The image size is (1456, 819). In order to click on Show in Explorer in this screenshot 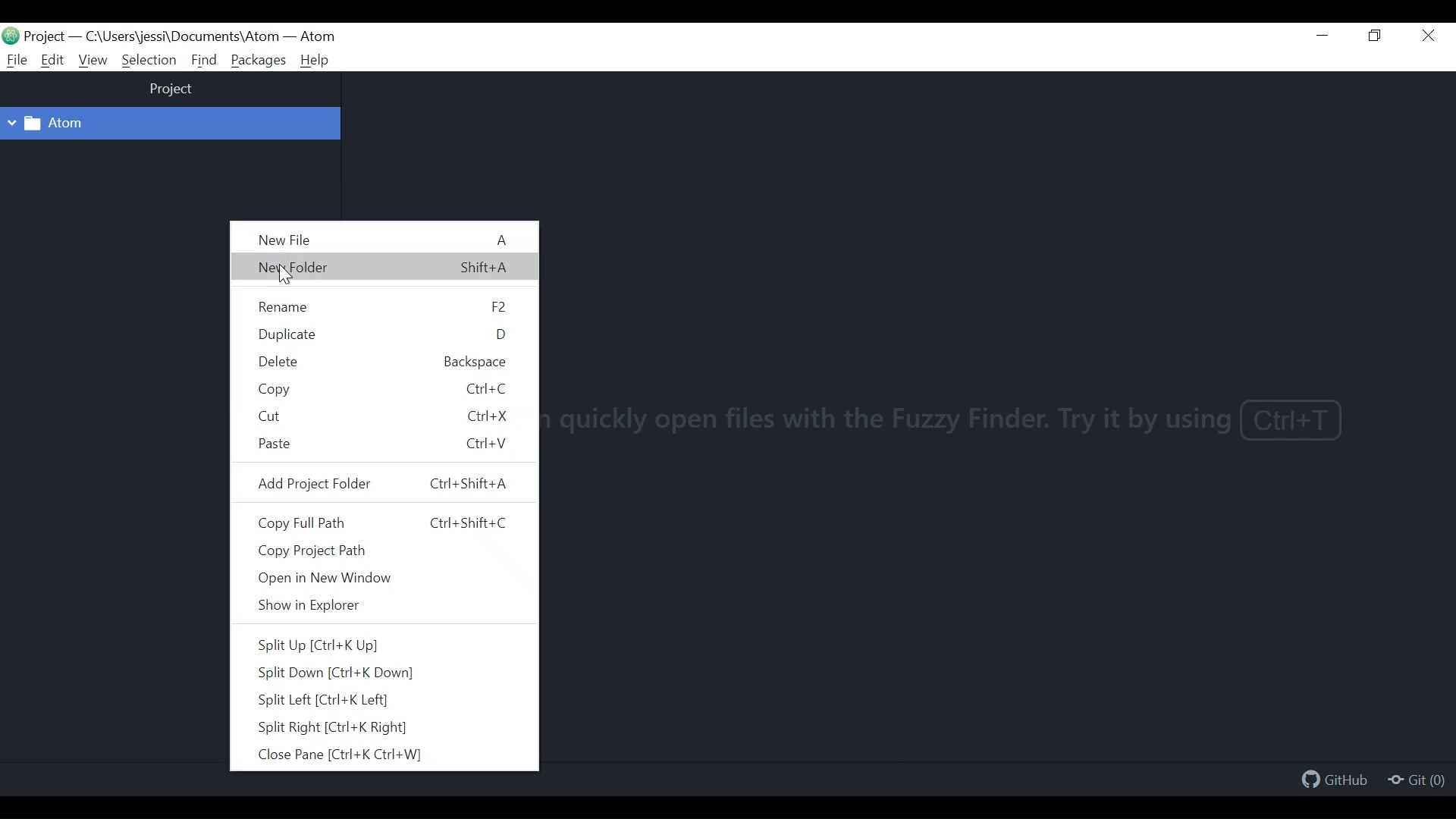, I will do `click(310, 606)`.